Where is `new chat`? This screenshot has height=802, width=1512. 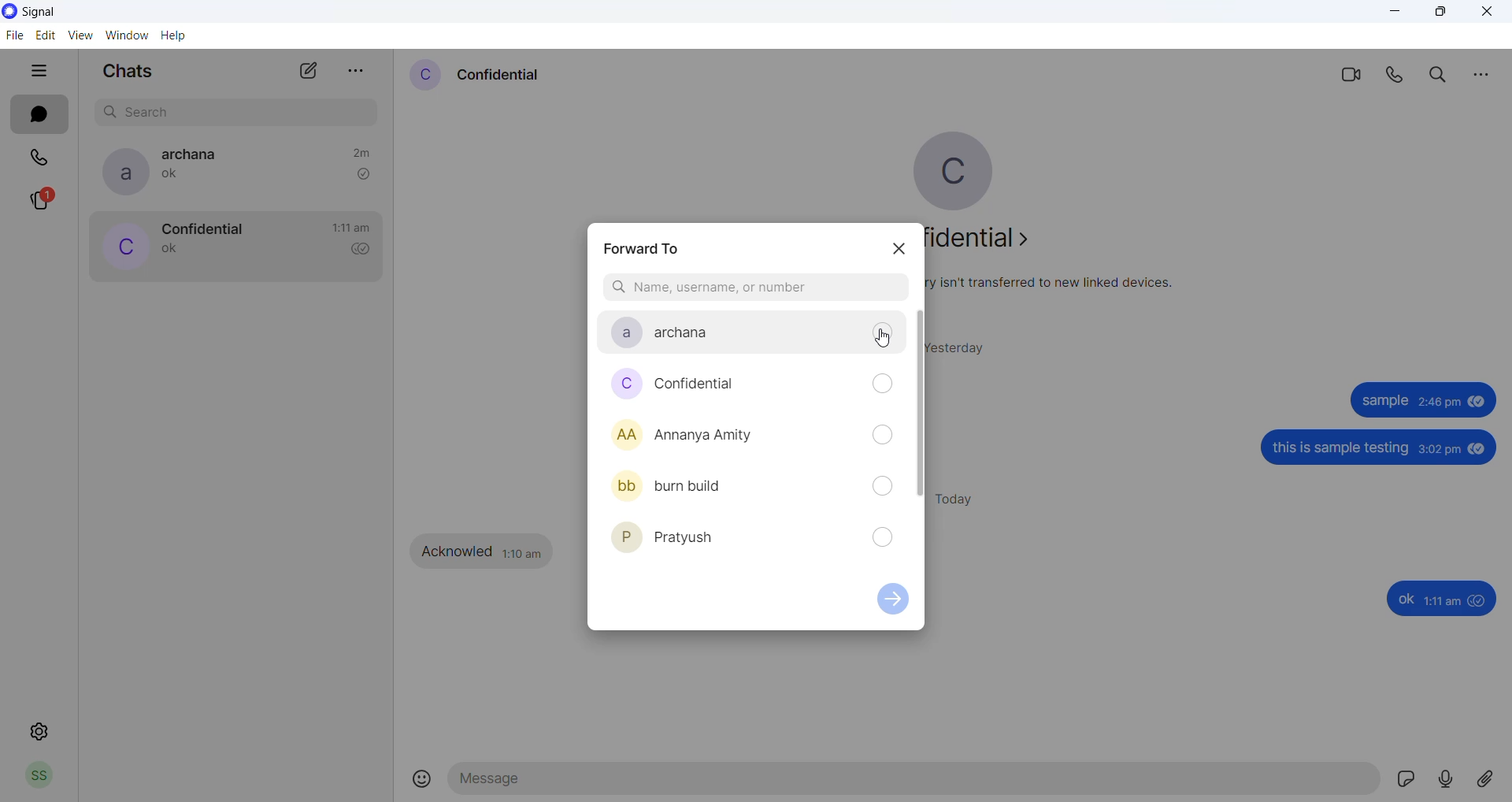
new chat is located at coordinates (309, 75).